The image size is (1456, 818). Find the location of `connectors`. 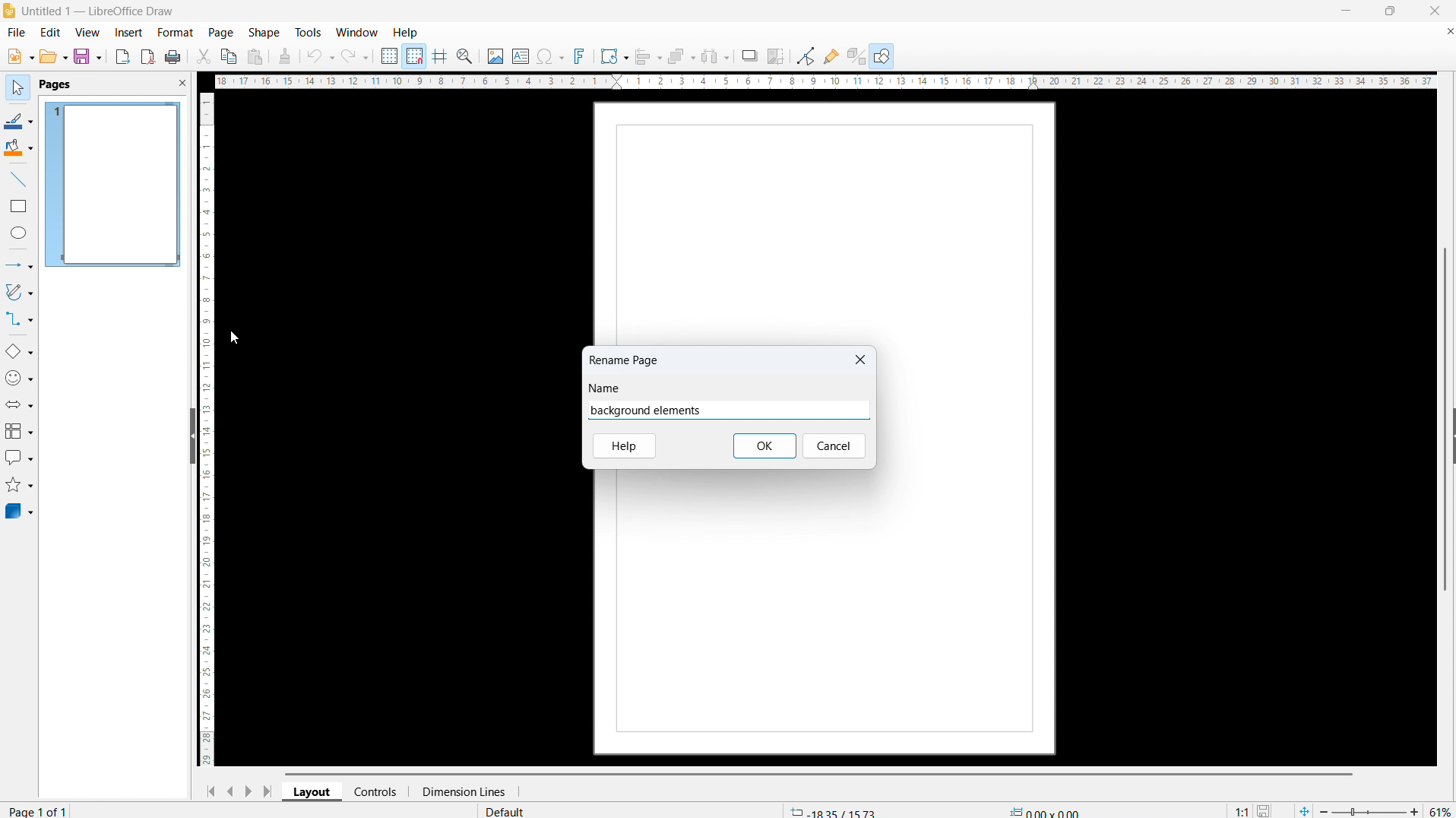

connectors is located at coordinates (19, 320).